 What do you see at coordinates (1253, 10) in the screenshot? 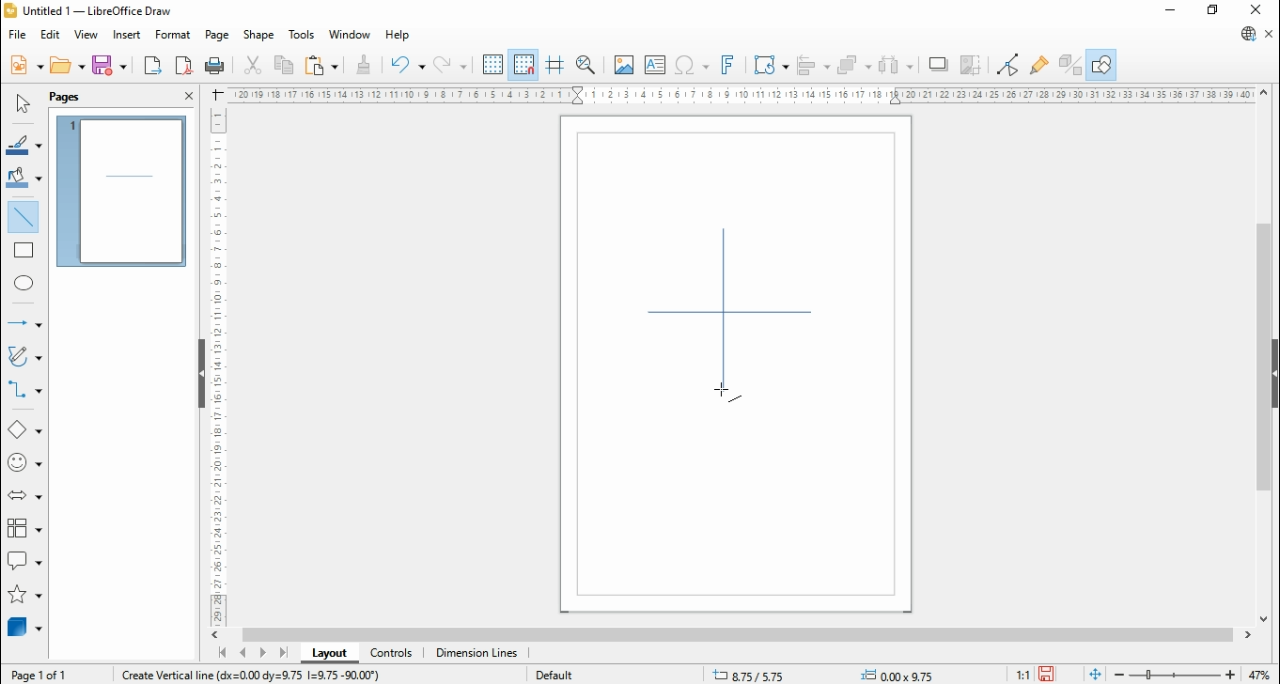
I see `close window` at bounding box center [1253, 10].